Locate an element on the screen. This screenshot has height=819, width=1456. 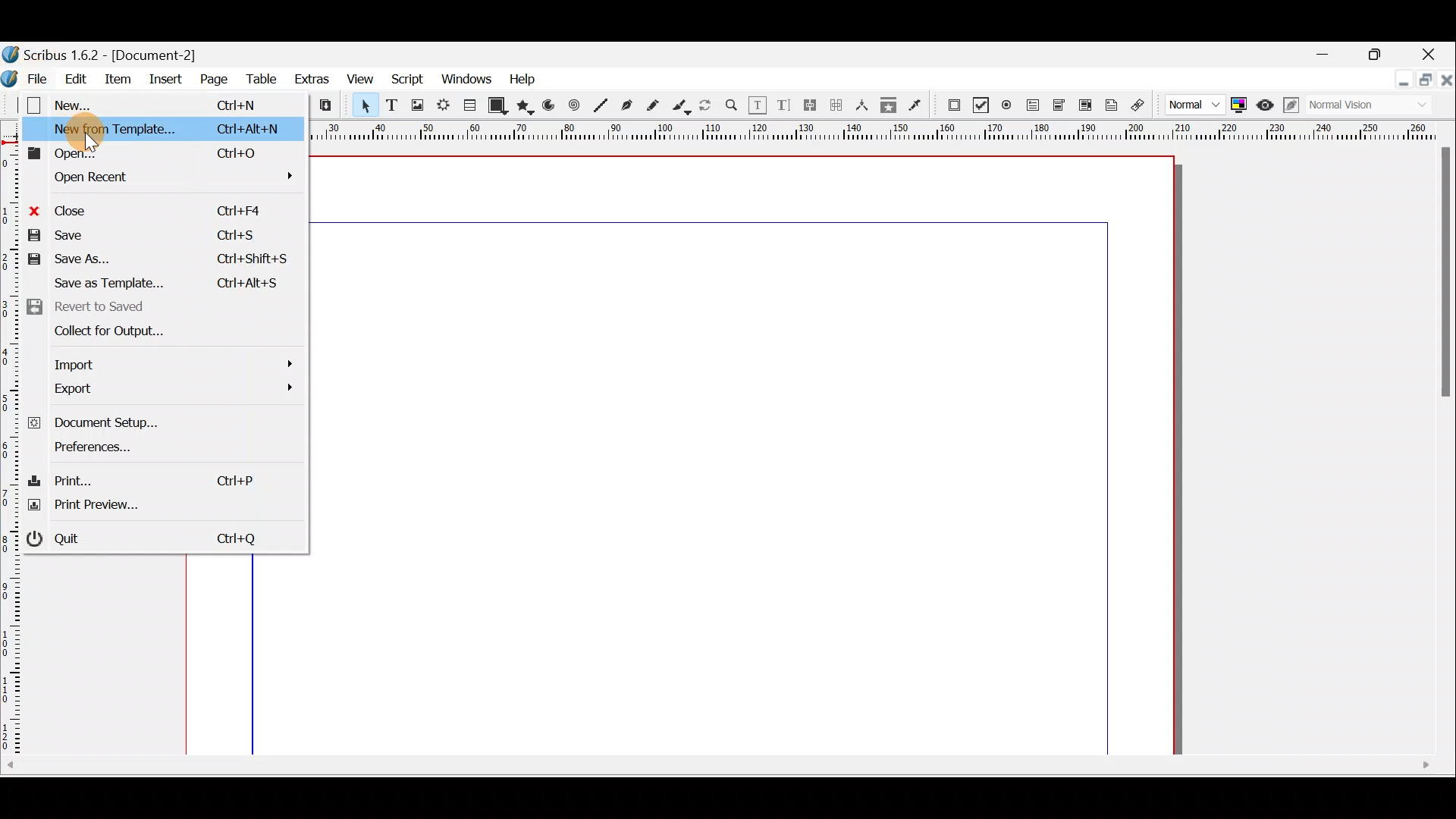
PDF check box is located at coordinates (979, 105).